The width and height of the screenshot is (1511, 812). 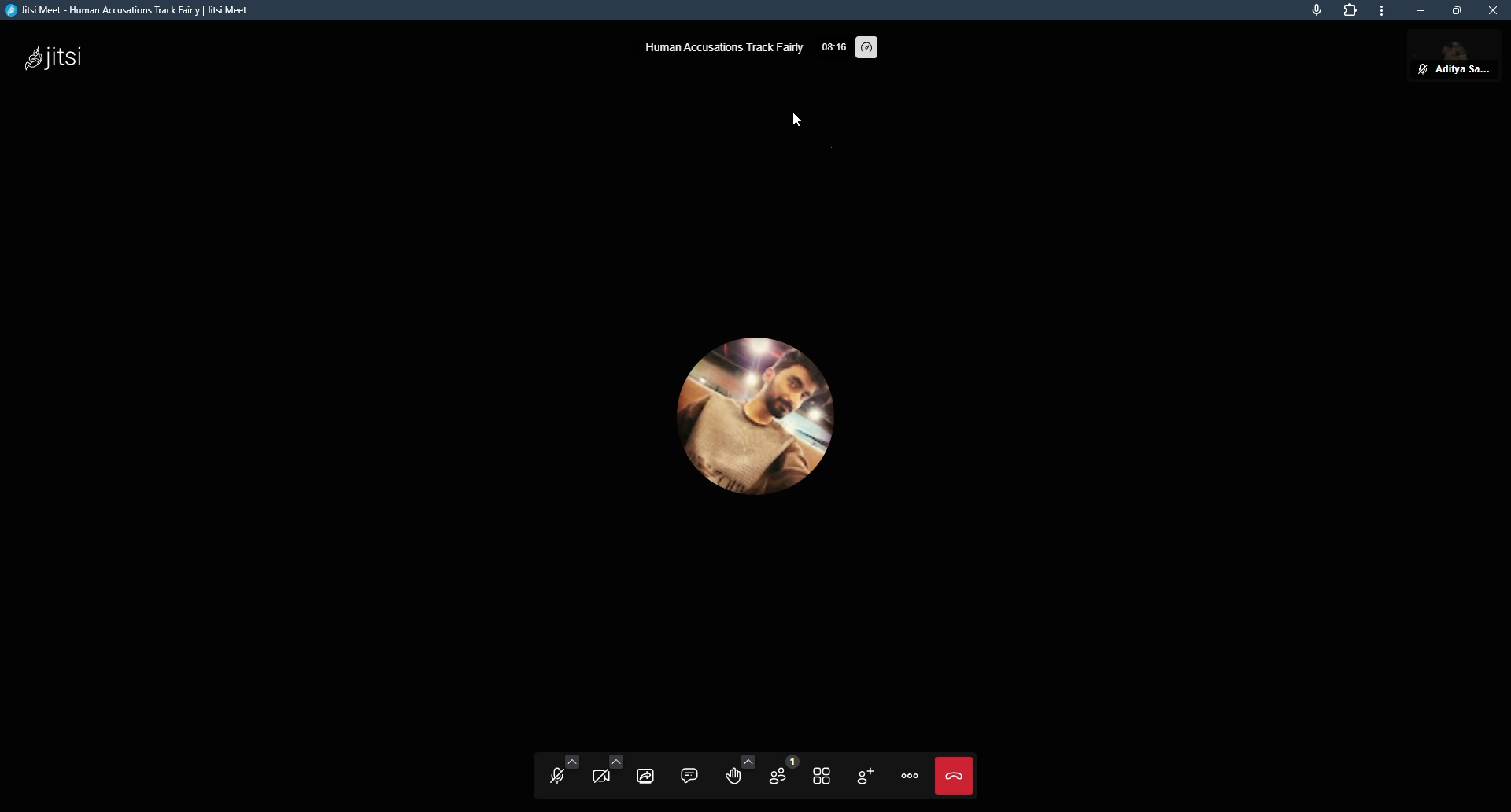 What do you see at coordinates (866, 776) in the screenshot?
I see `add people` at bounding box center [866, 776].